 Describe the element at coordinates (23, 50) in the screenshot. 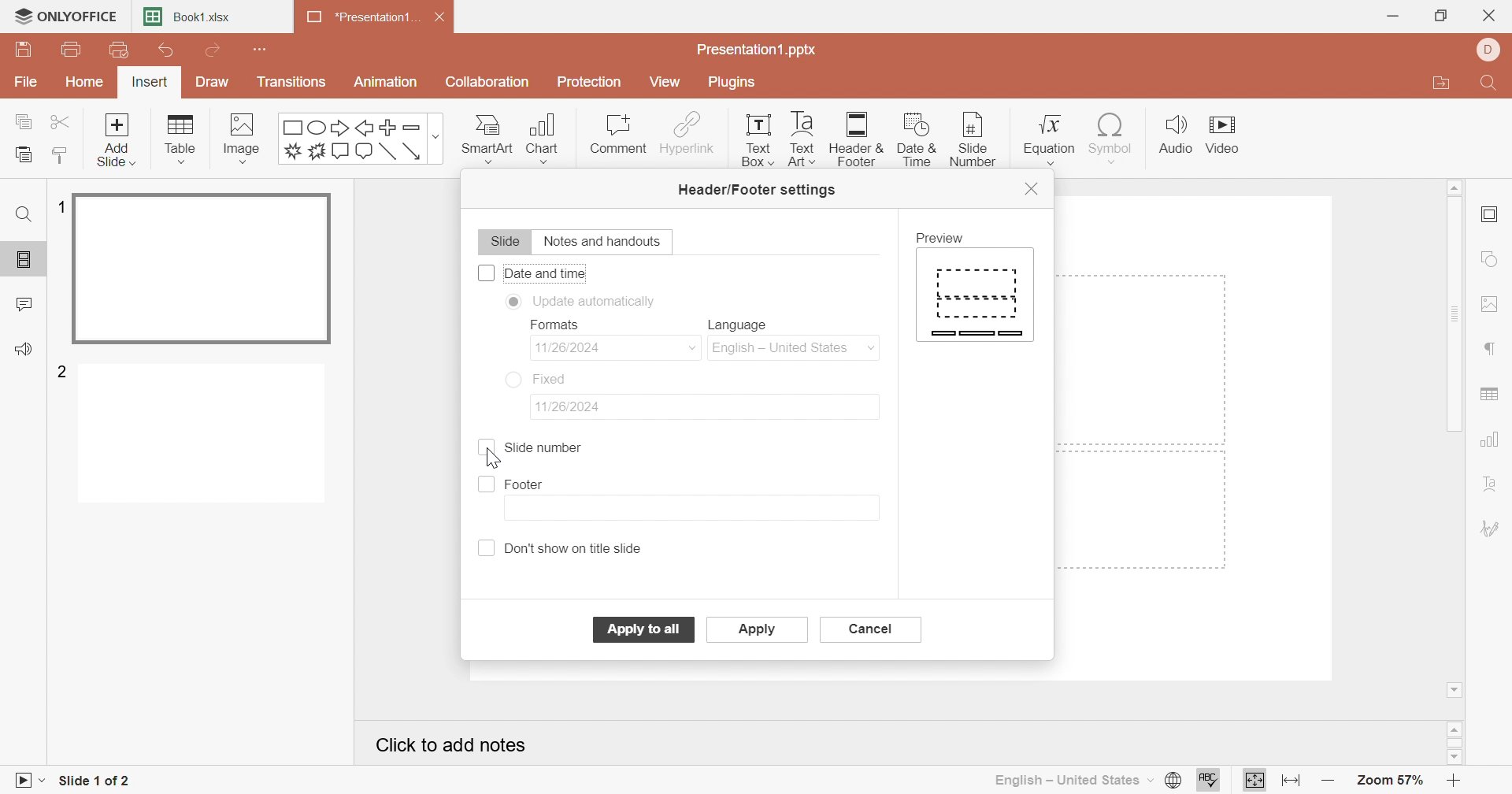

I see `Save` at that location.